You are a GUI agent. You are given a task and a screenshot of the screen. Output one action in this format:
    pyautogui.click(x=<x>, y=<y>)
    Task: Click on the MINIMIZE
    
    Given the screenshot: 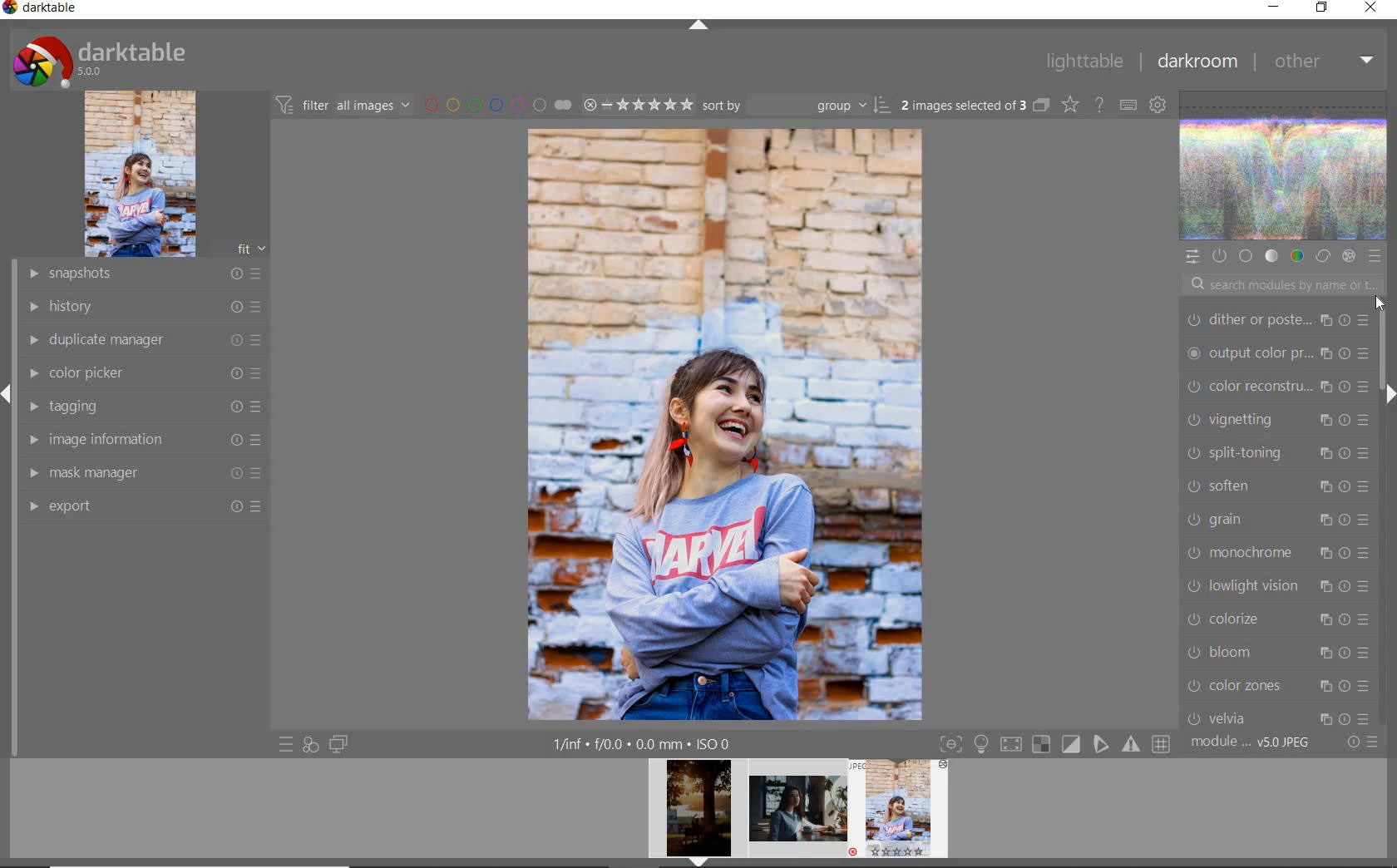 What is the action you would take?
    pyautogui.click(x=1273, y=7)
    